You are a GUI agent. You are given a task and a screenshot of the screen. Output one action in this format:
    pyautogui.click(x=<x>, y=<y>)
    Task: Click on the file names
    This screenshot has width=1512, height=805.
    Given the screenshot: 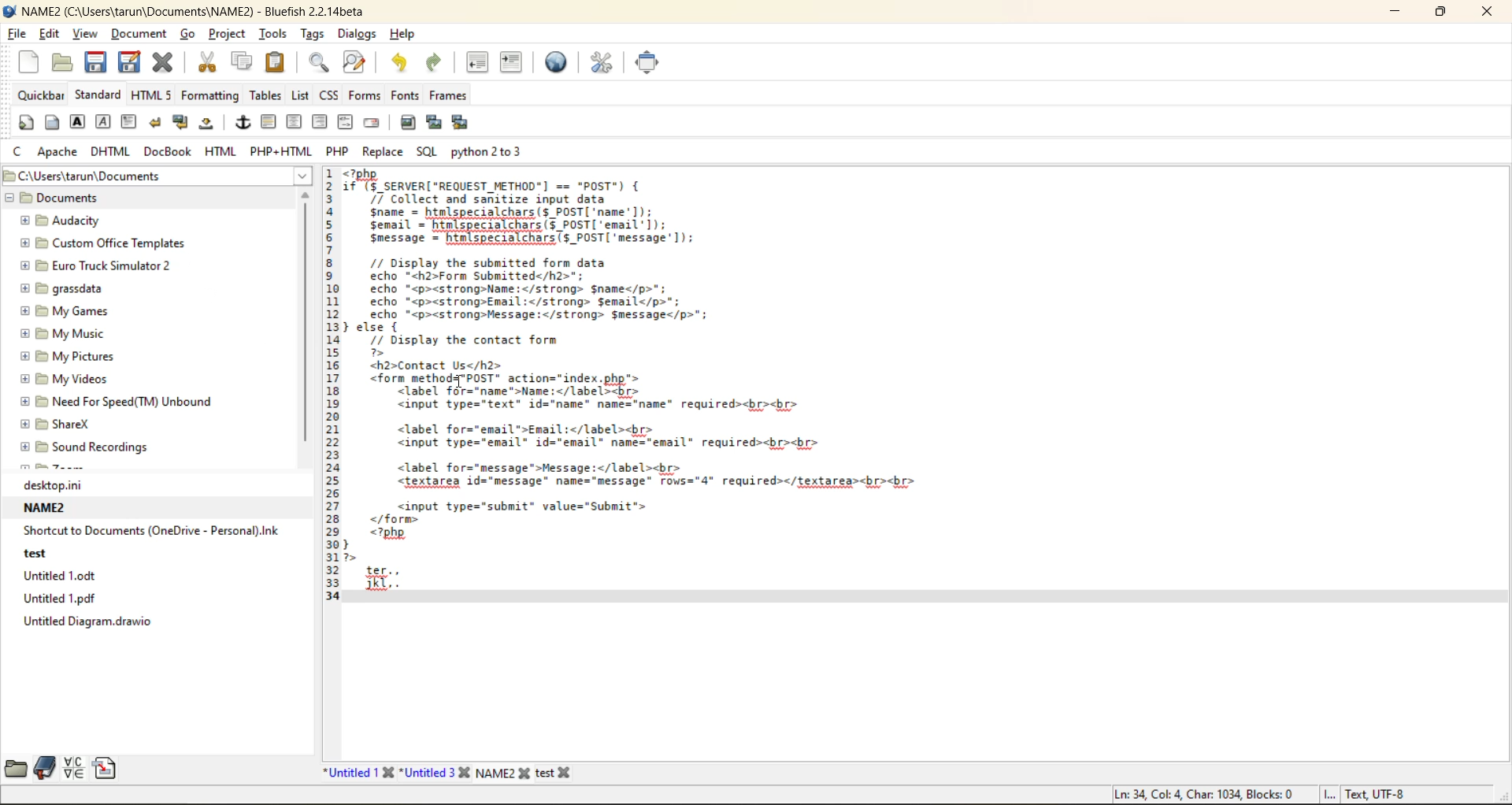 What is the action you would take?
    pyautogui.click(x=453, y=773)
    